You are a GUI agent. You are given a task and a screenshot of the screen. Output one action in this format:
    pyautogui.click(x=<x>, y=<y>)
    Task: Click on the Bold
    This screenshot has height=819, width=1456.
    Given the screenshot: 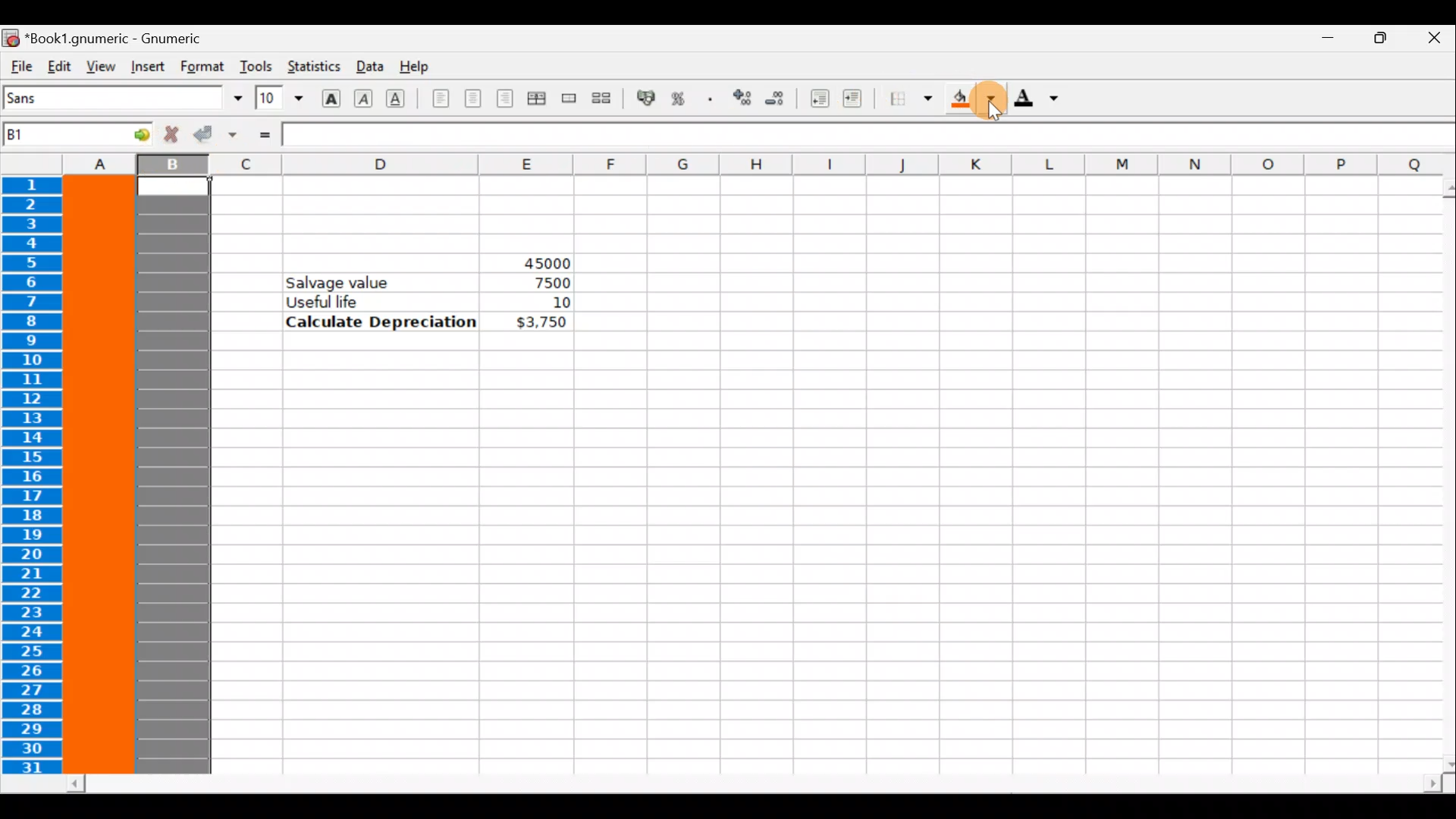 What is the action you would take?
    pyautogui.click(x=331, y=96)
    